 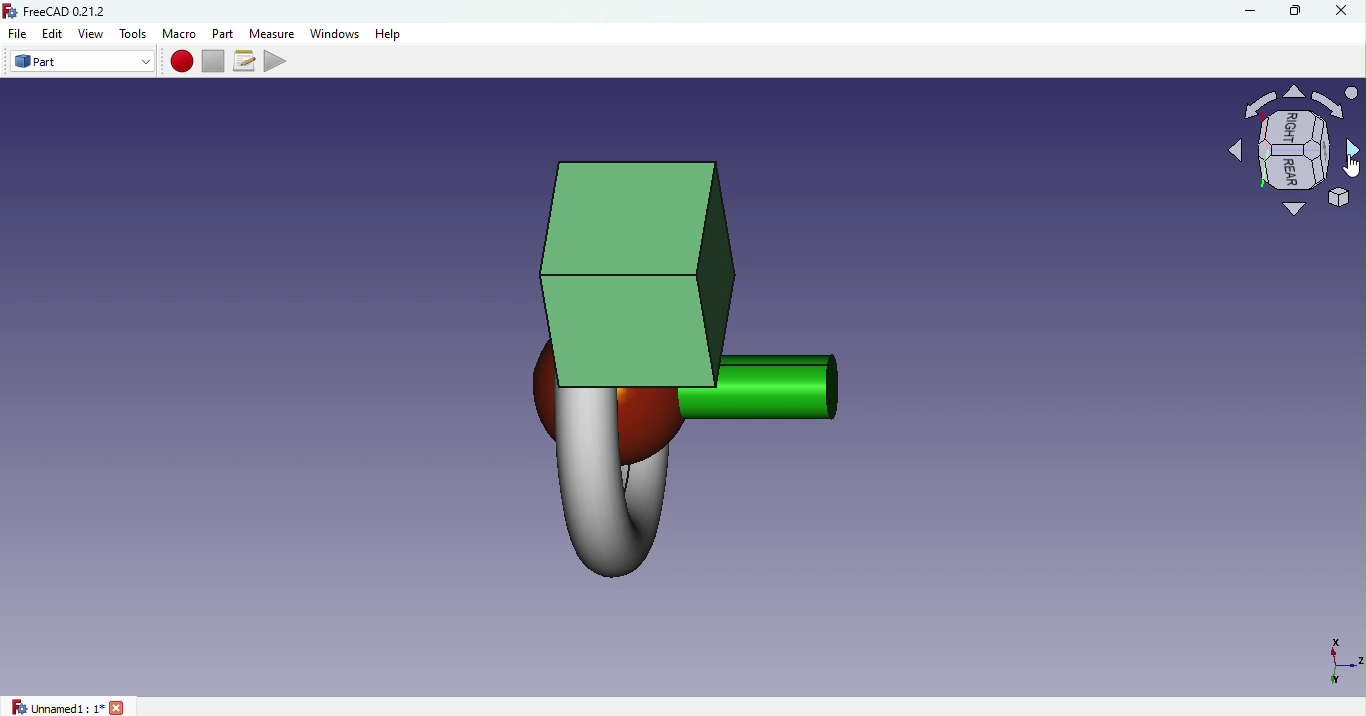 I want to click on File, so click(x=17, y=34).